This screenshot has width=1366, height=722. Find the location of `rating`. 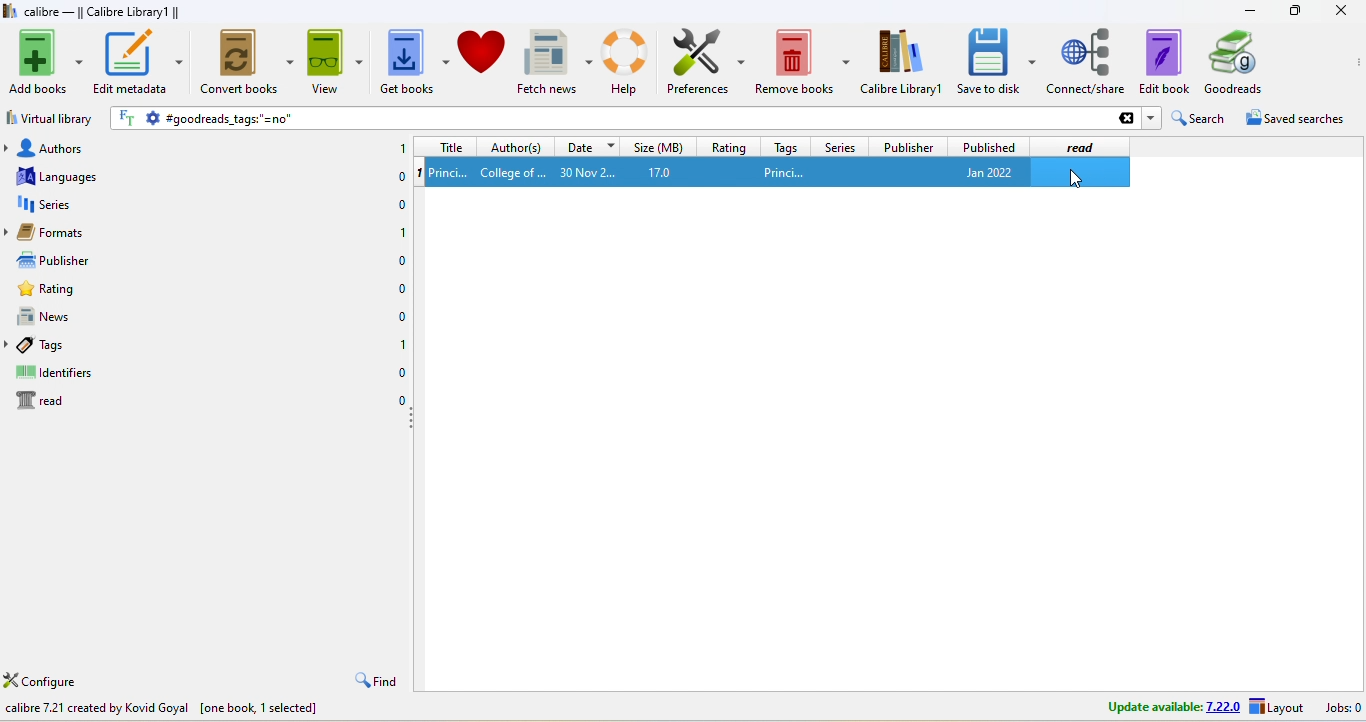

rating is located at coordinates (728, 146).